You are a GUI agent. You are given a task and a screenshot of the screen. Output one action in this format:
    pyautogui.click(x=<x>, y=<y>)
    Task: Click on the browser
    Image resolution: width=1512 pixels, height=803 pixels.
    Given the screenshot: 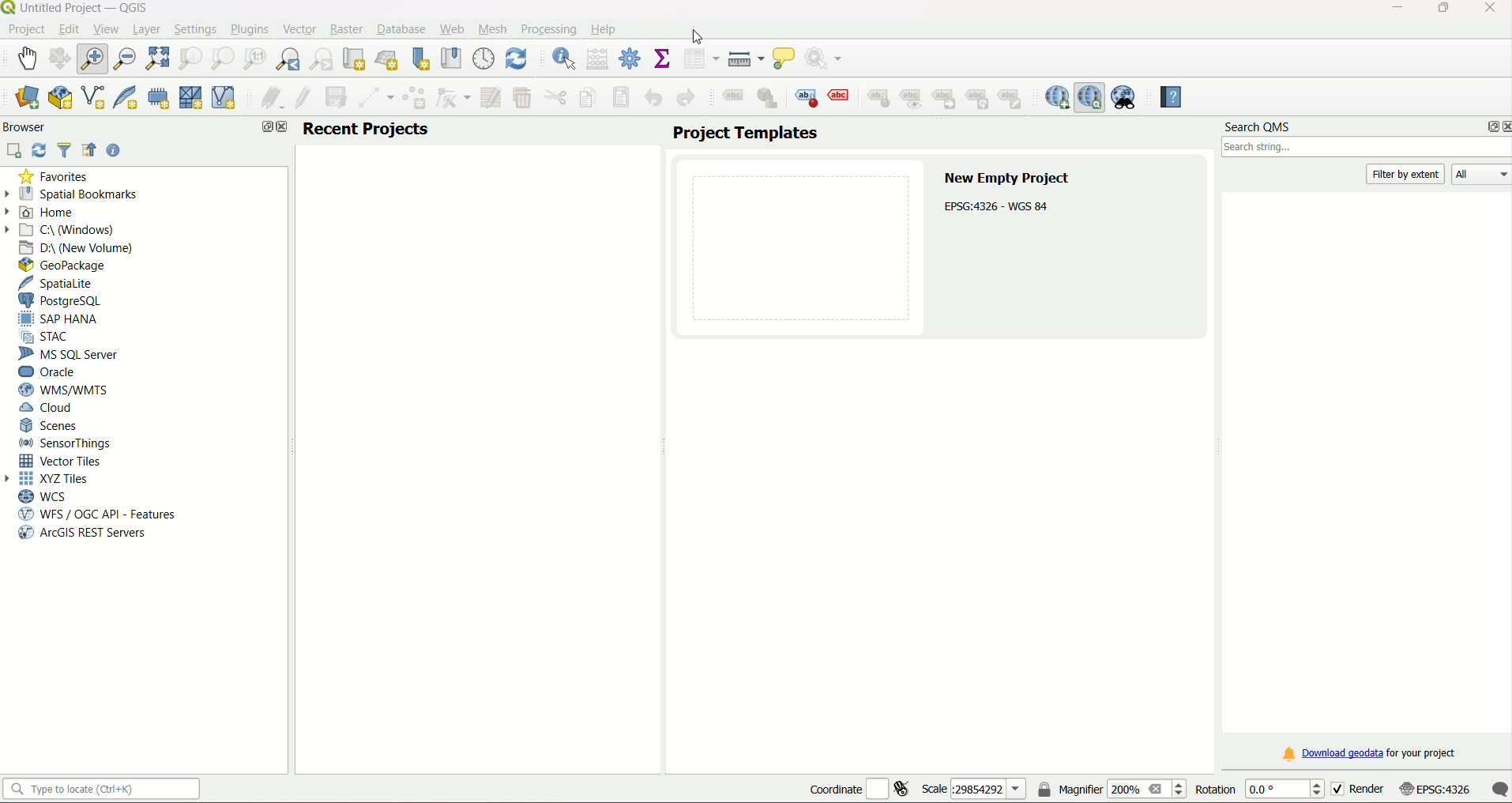 What is the action you would take?
    pyautogui.click(x=28, y=126)
    